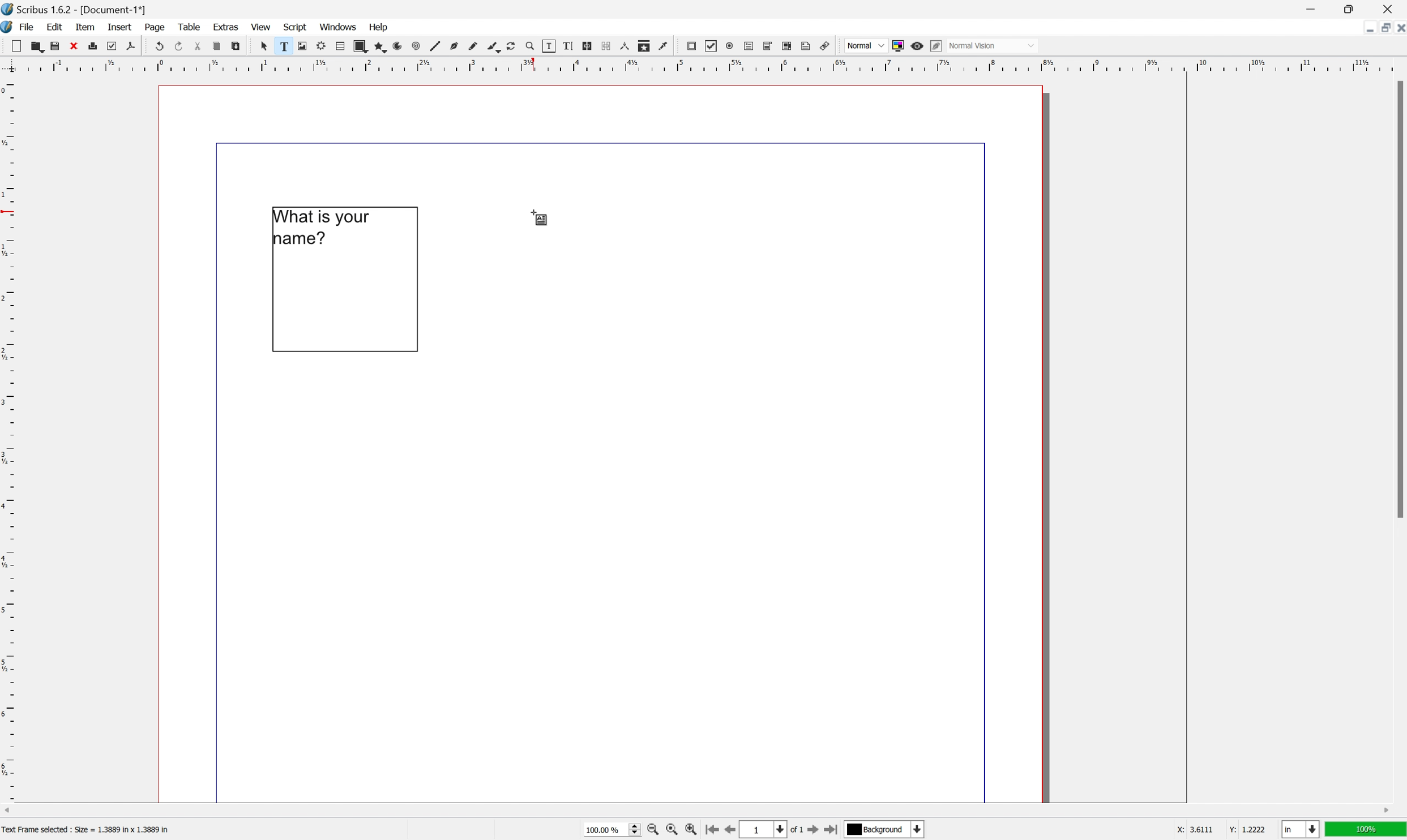 Image resolution: width=1407 pixels, height=840 pixels. I want to click on restore down, so click(1380, 28).